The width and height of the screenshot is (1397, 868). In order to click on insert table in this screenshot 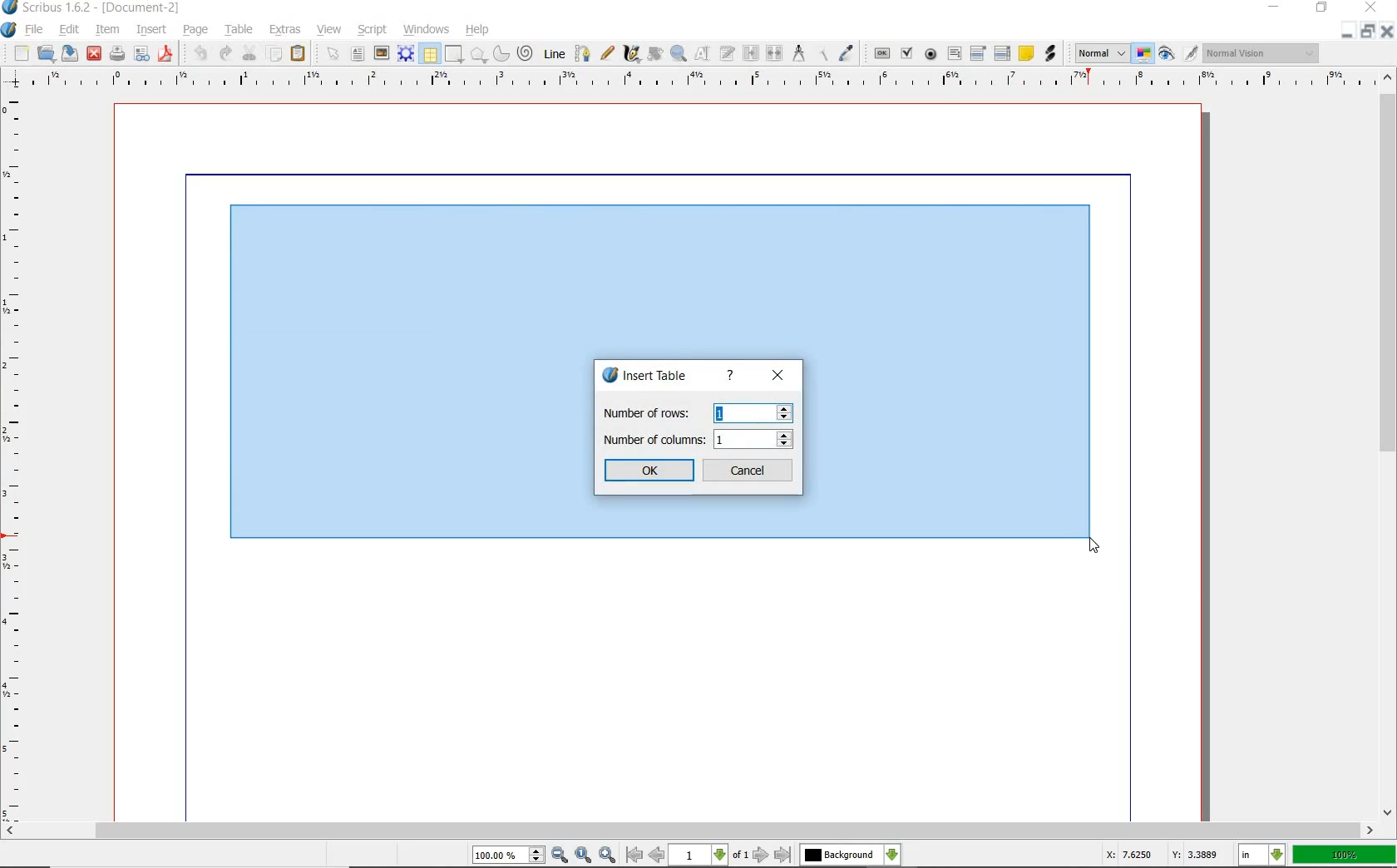, I will do `click(644, 375)`.